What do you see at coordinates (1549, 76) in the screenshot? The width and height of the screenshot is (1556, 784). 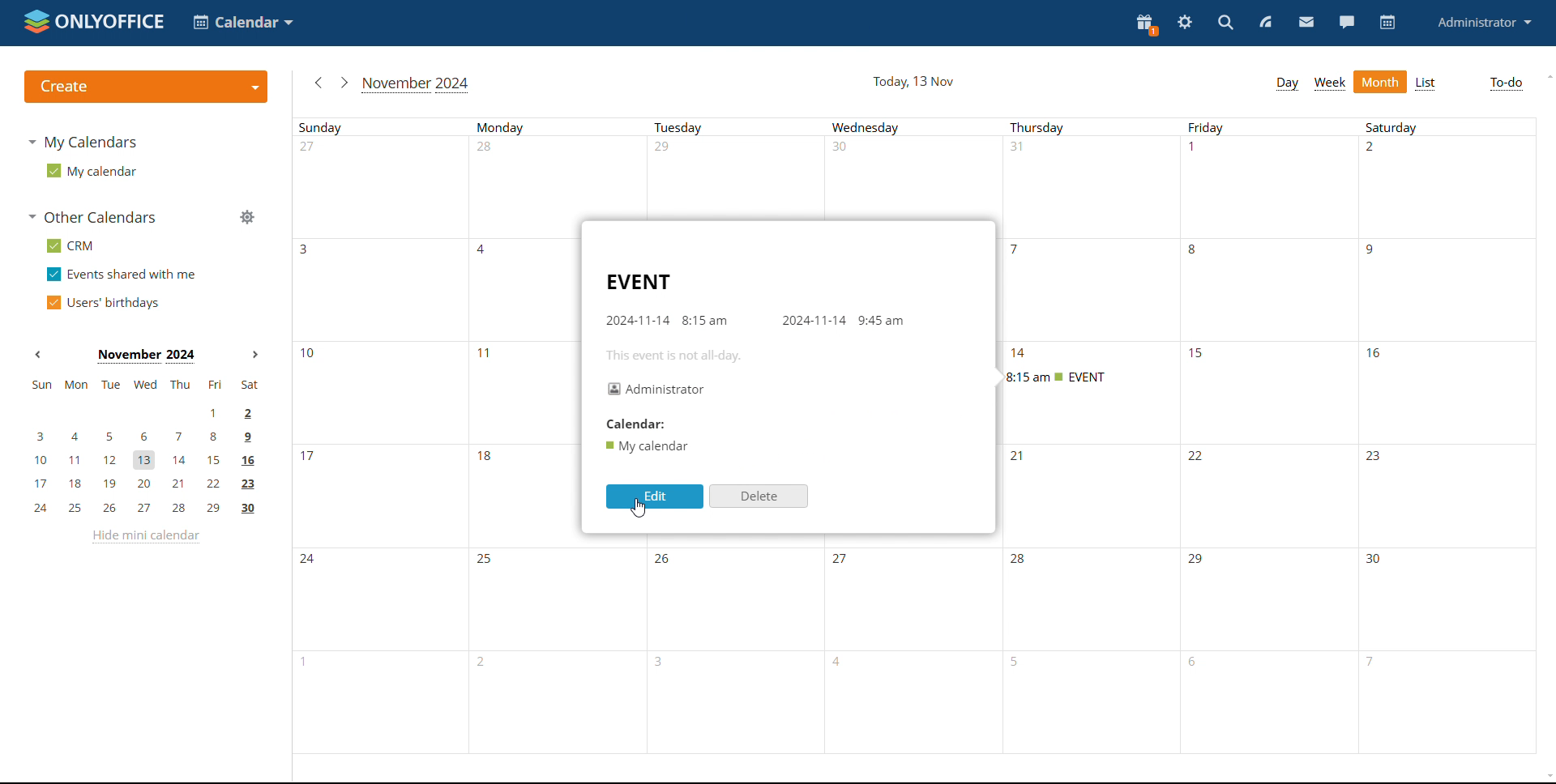 I see `scroll up` at bounding box center [1549, 76].